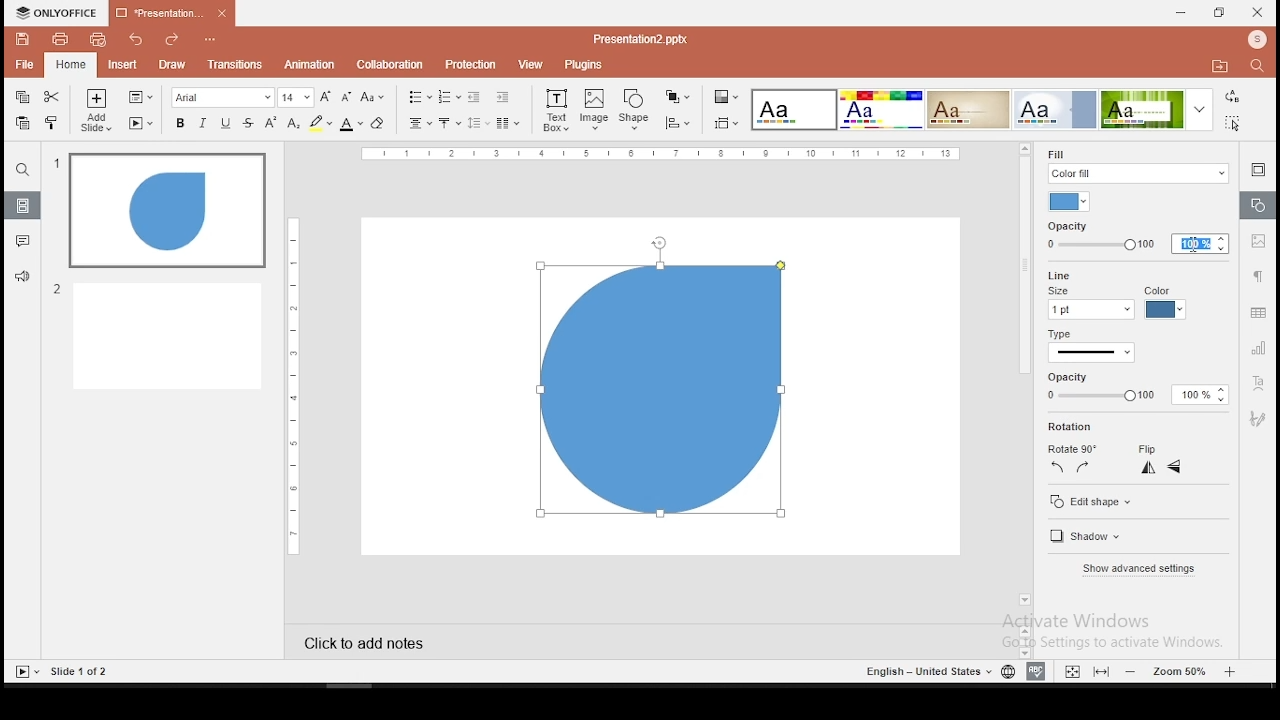 This screenshot has width=1280, height=720. What do you see at coordinates (664, 153) in the screenshot?
I see `horizontal scale` at bounding box center [664, 153].